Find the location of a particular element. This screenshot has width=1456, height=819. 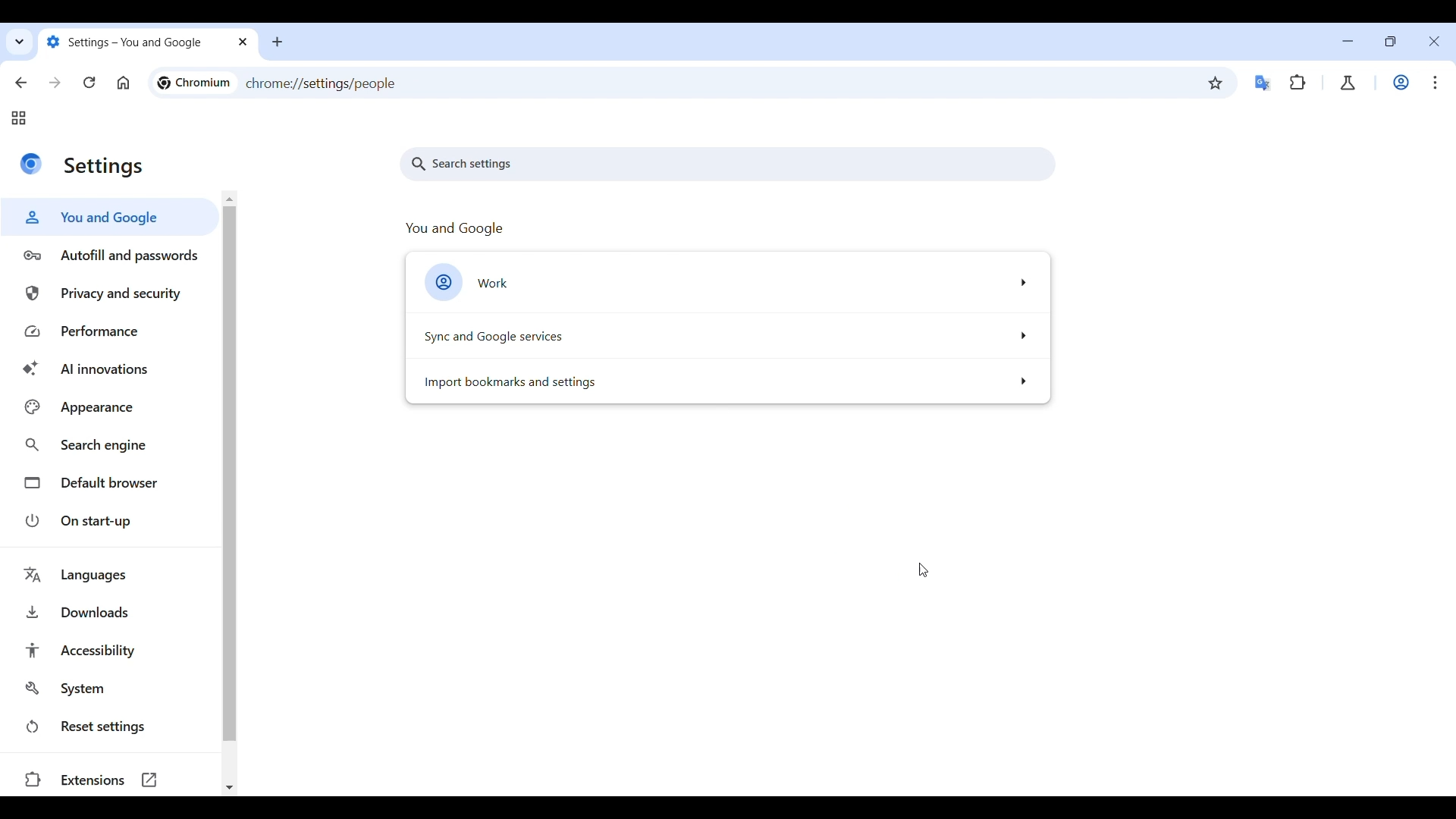

System is located at coordinates (110, 688).